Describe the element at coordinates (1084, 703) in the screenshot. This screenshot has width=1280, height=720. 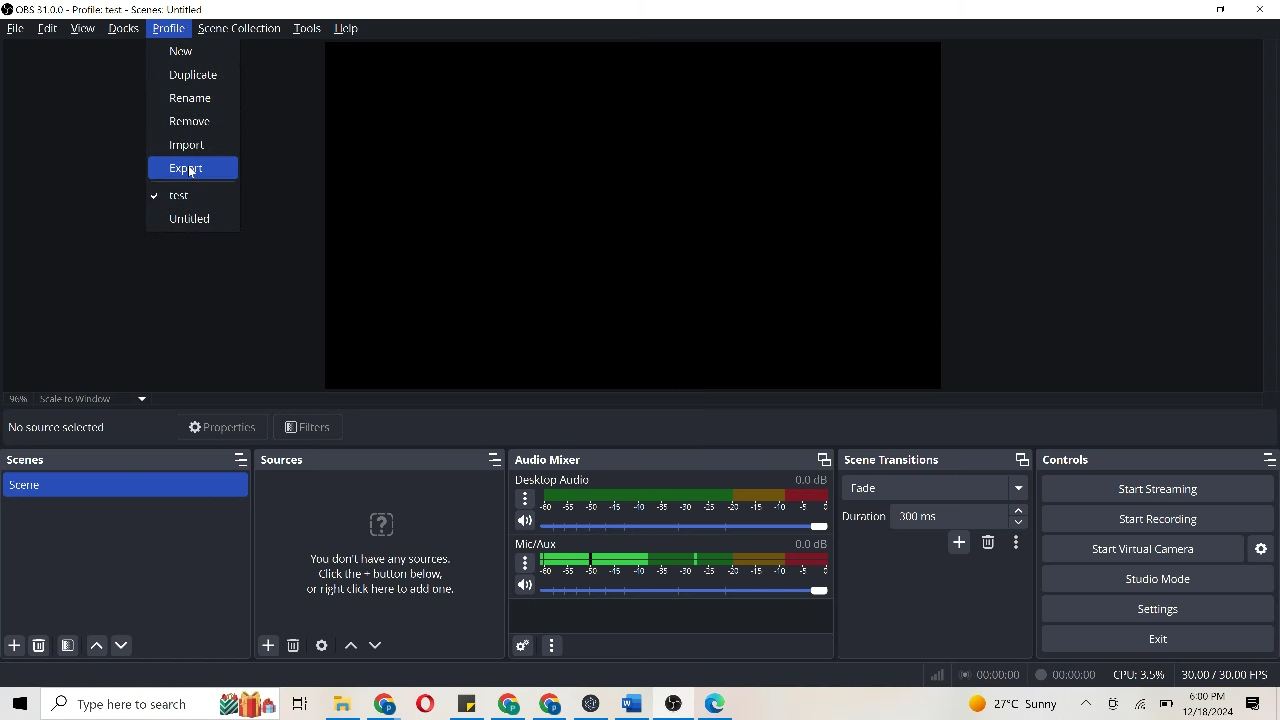
I see `up` at that location.